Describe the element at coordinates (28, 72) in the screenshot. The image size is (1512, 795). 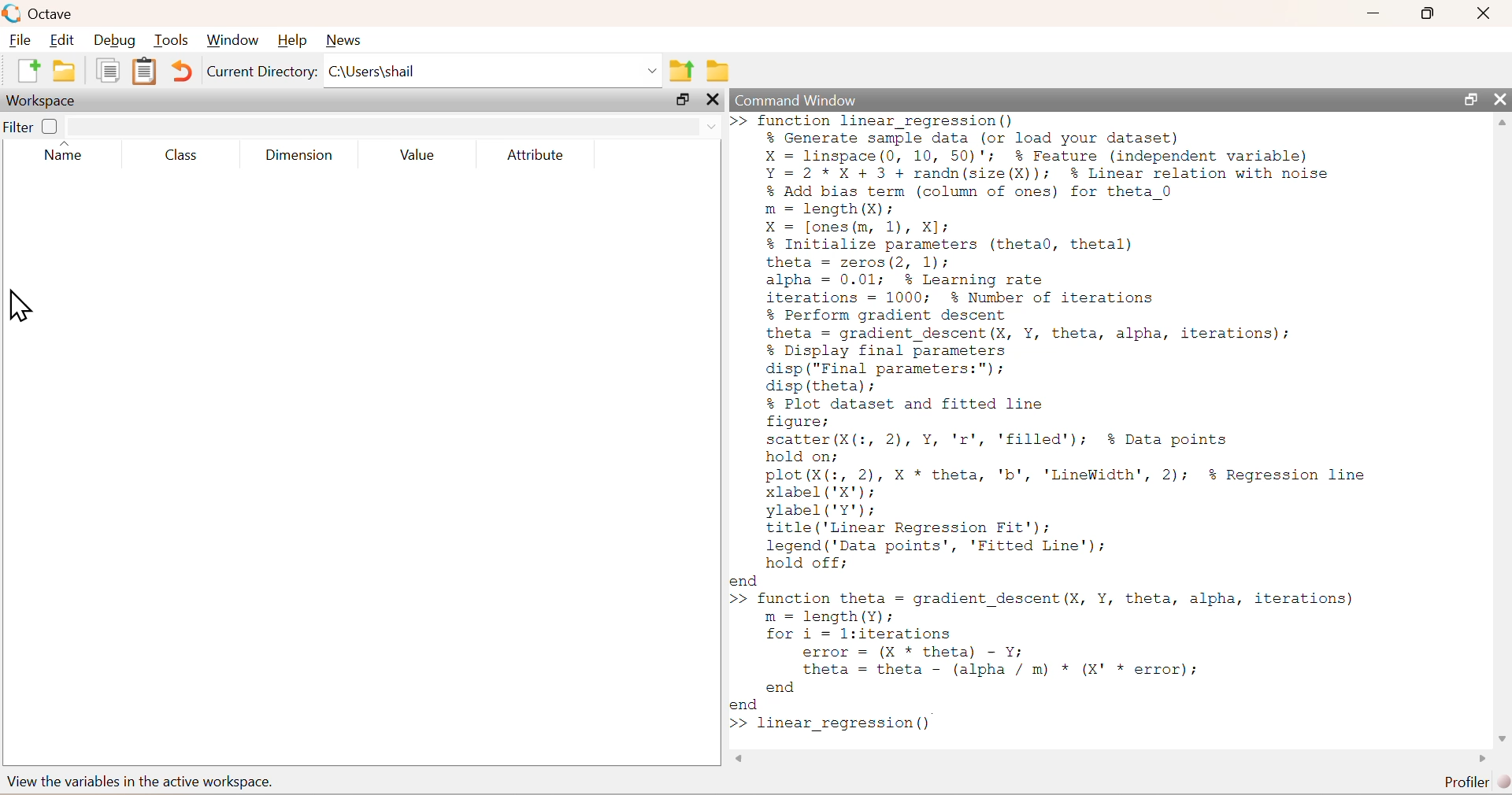
I see `new document` at that location.